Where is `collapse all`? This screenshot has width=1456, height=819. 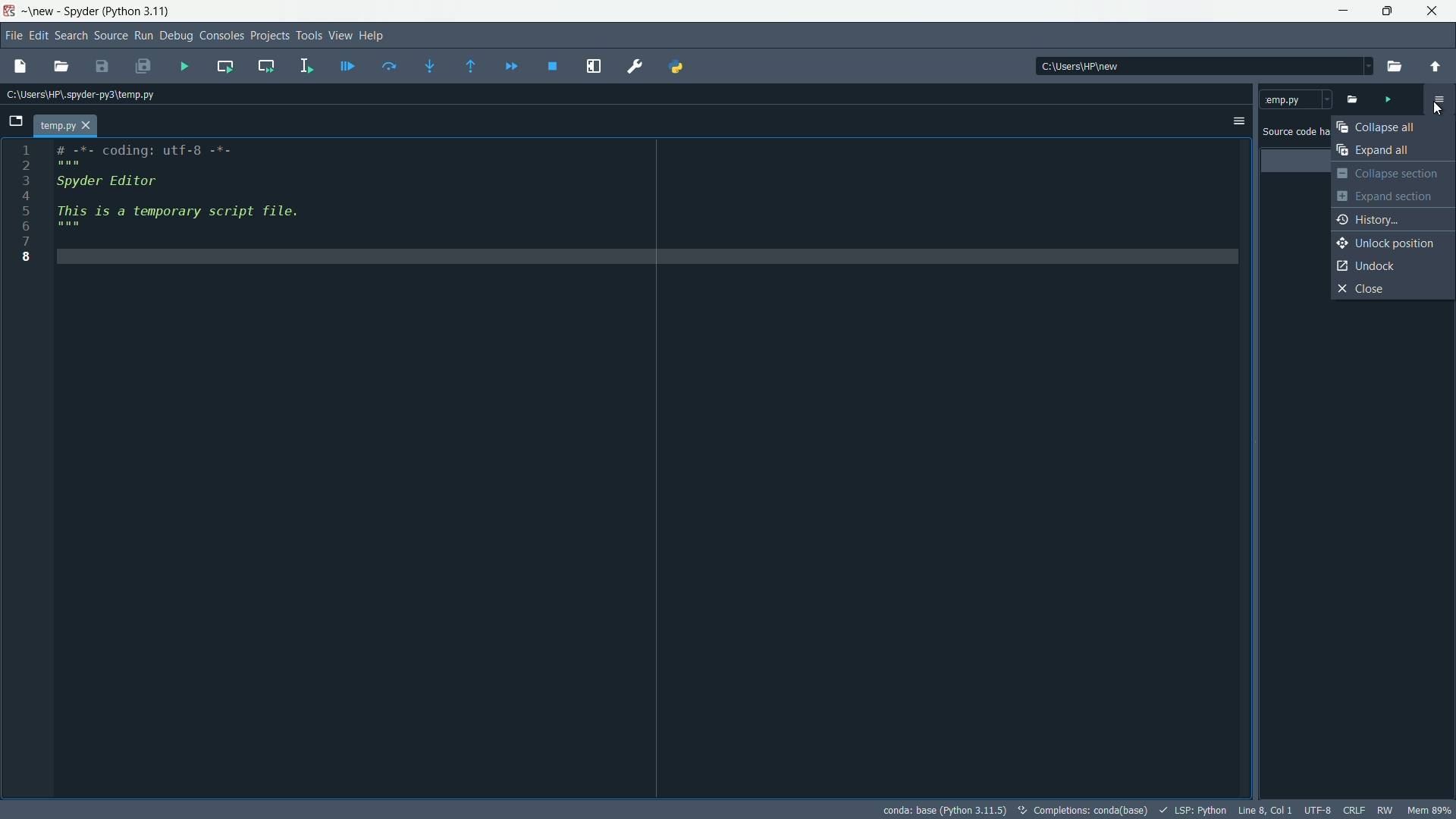 collapse all is located at coordinates (1394, 127).